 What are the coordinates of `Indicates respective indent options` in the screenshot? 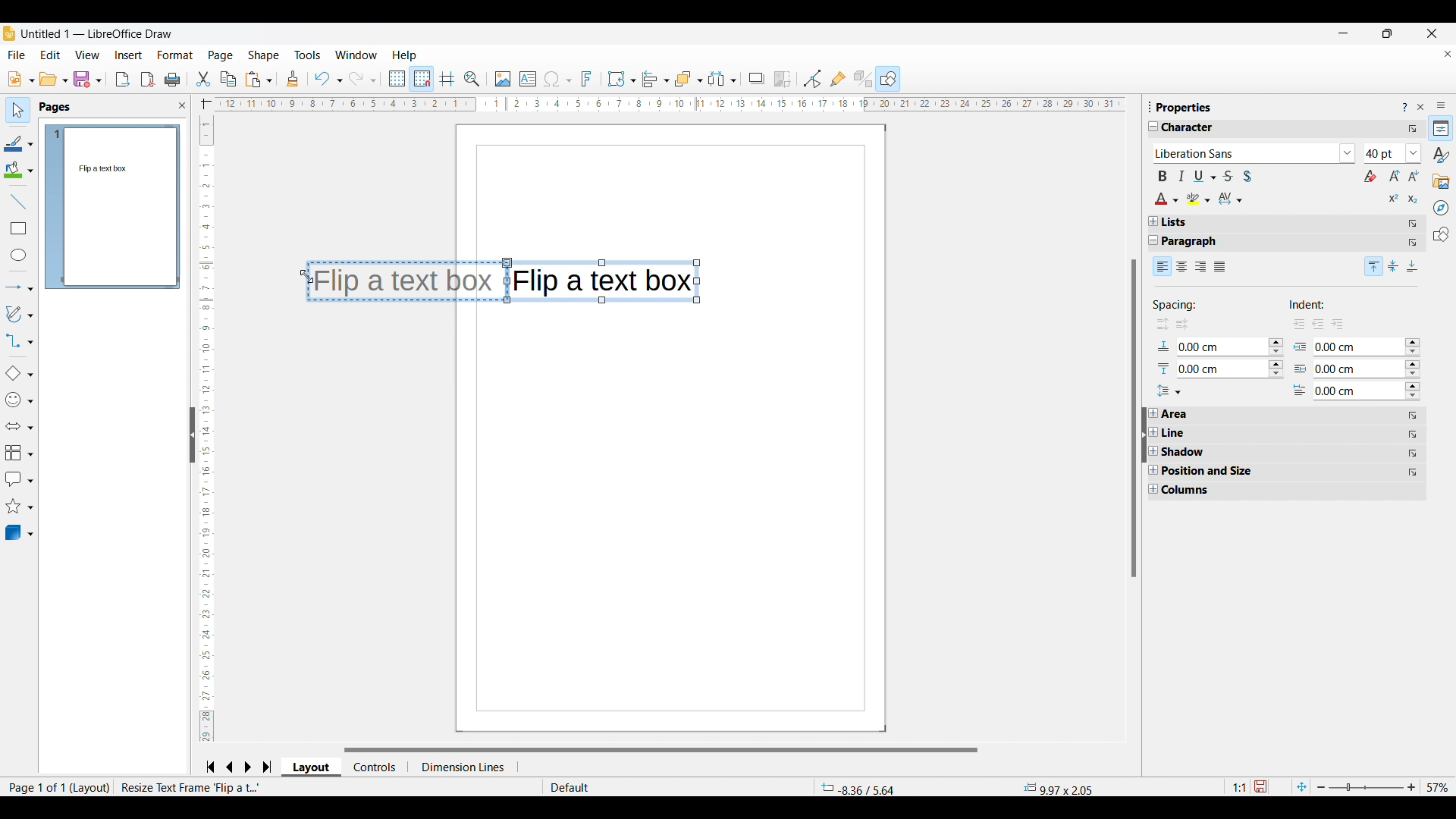 It's located at (1301, 369).